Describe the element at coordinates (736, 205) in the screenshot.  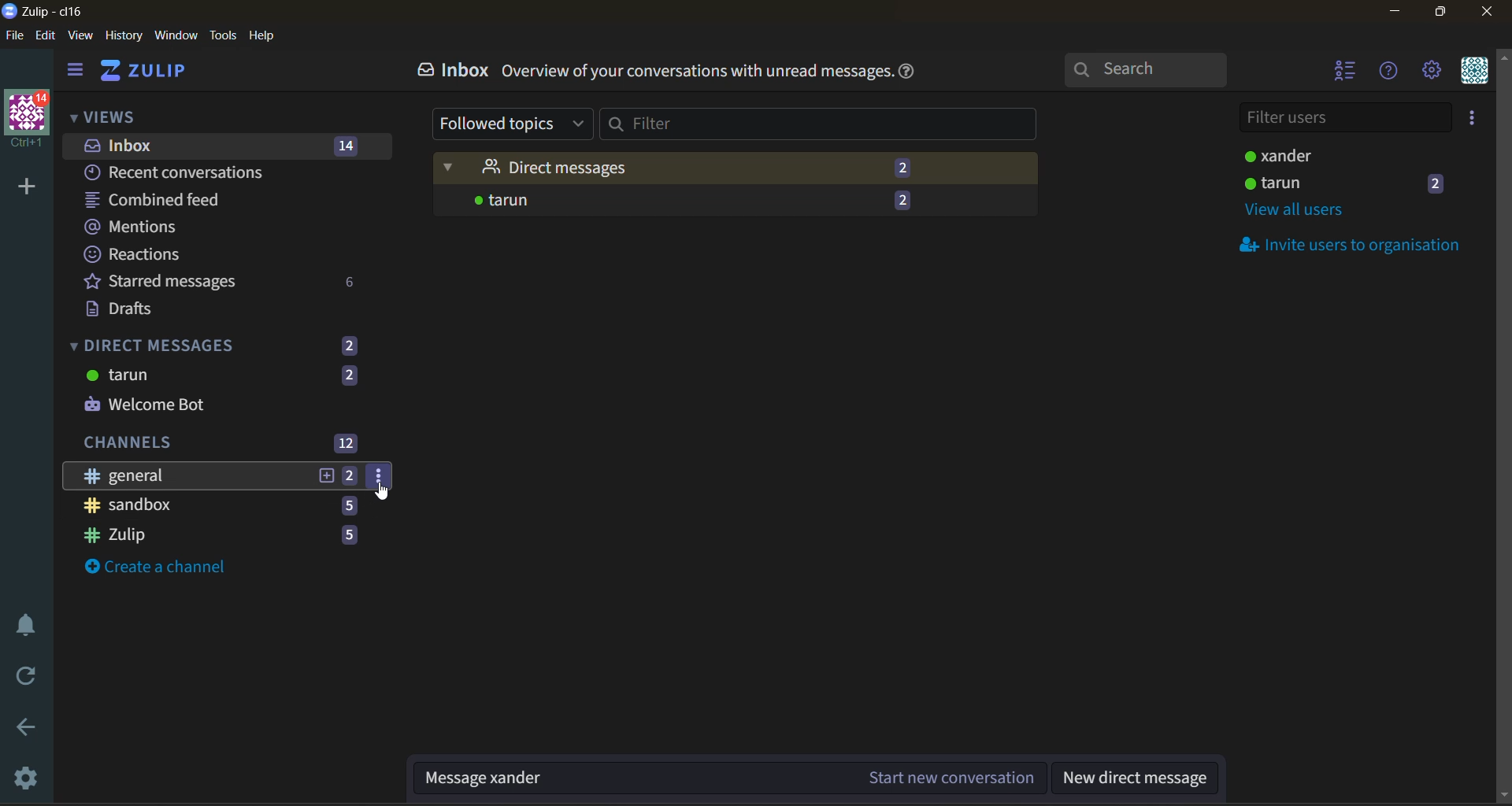
I see `tarun -2 (messages)` at that location.